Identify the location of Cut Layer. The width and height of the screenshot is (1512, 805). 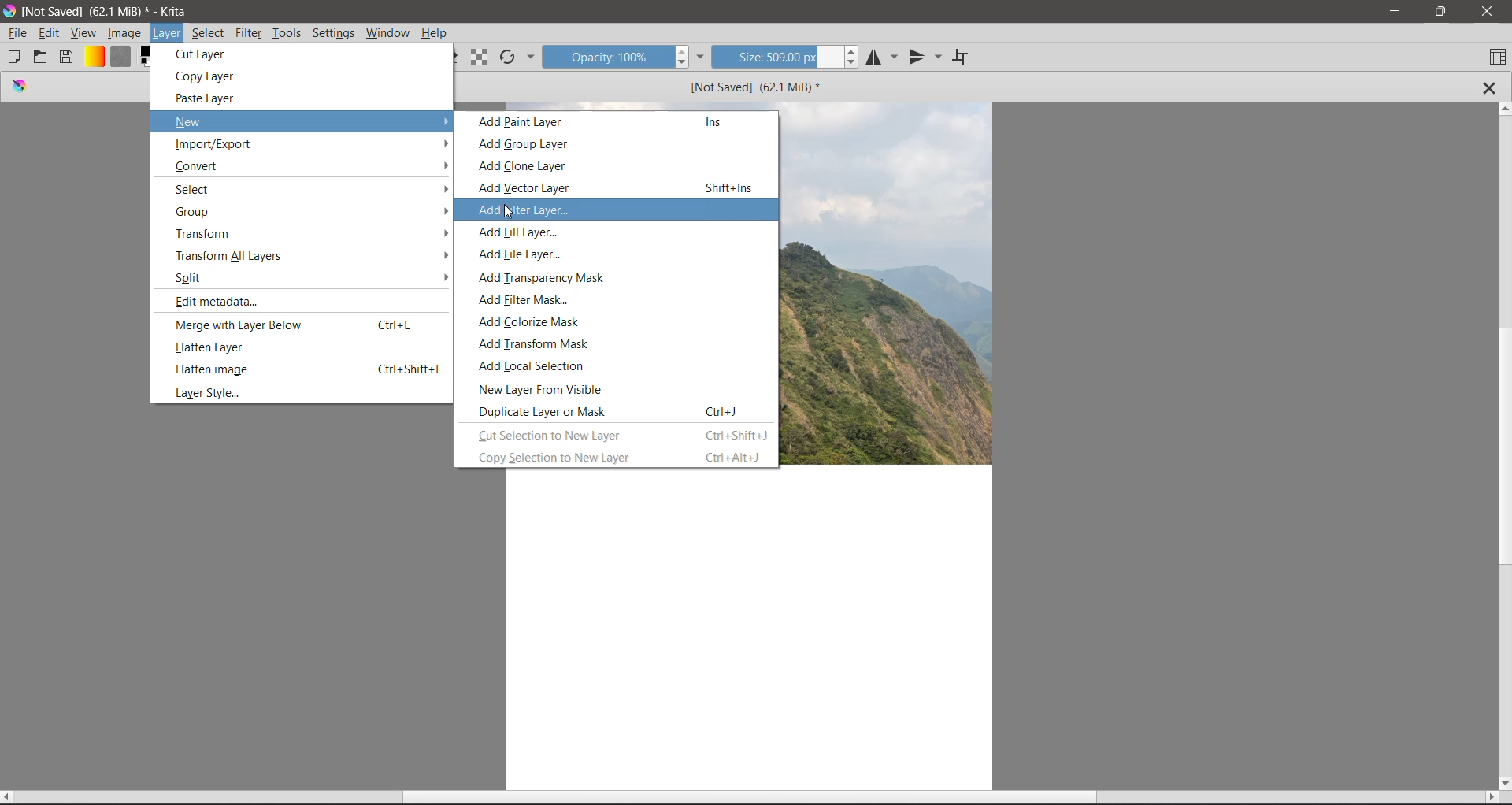
(204, 53).